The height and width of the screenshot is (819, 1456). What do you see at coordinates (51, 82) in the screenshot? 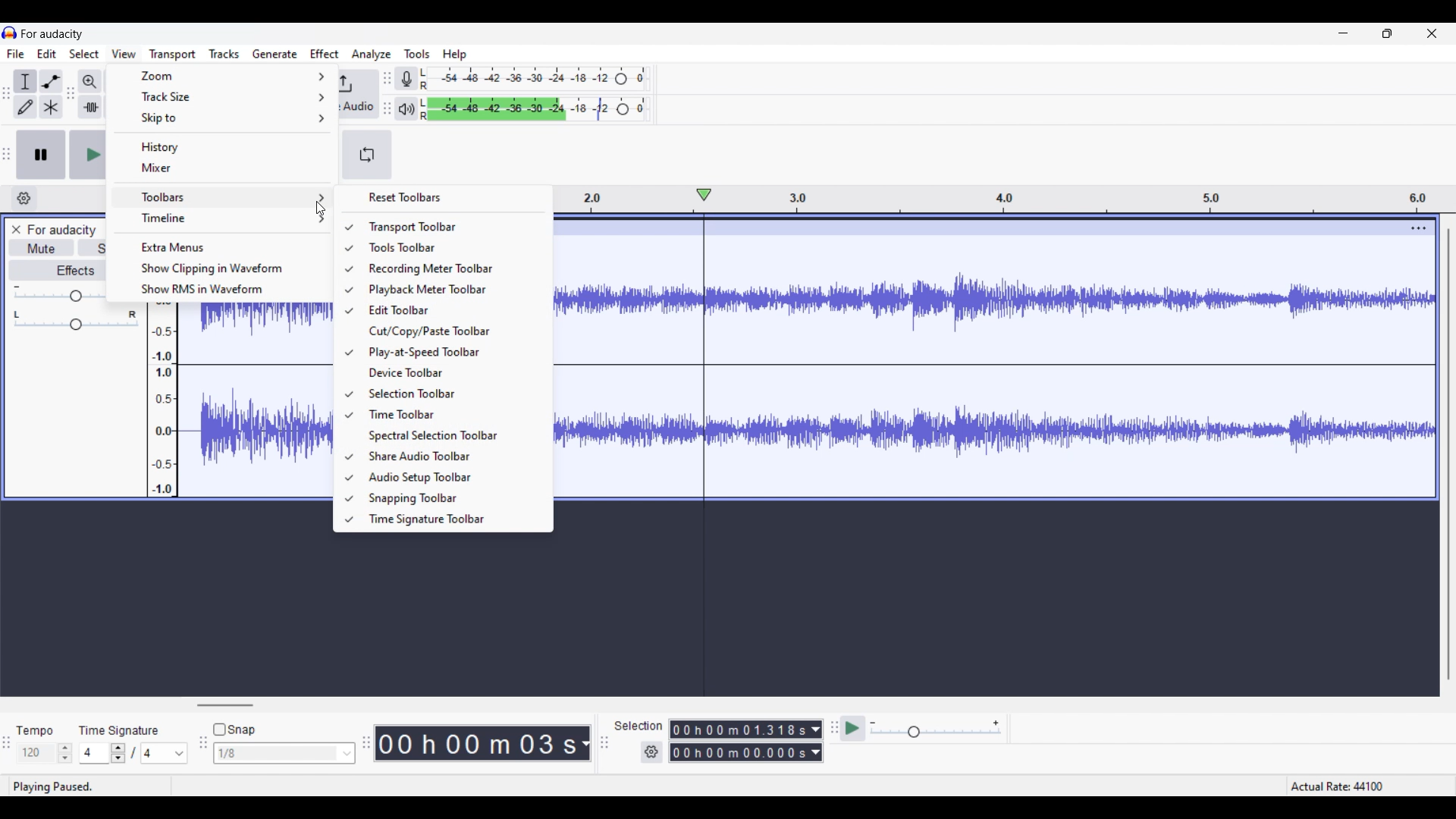
I see `Envelop tool` at bounding box center [51, 82].